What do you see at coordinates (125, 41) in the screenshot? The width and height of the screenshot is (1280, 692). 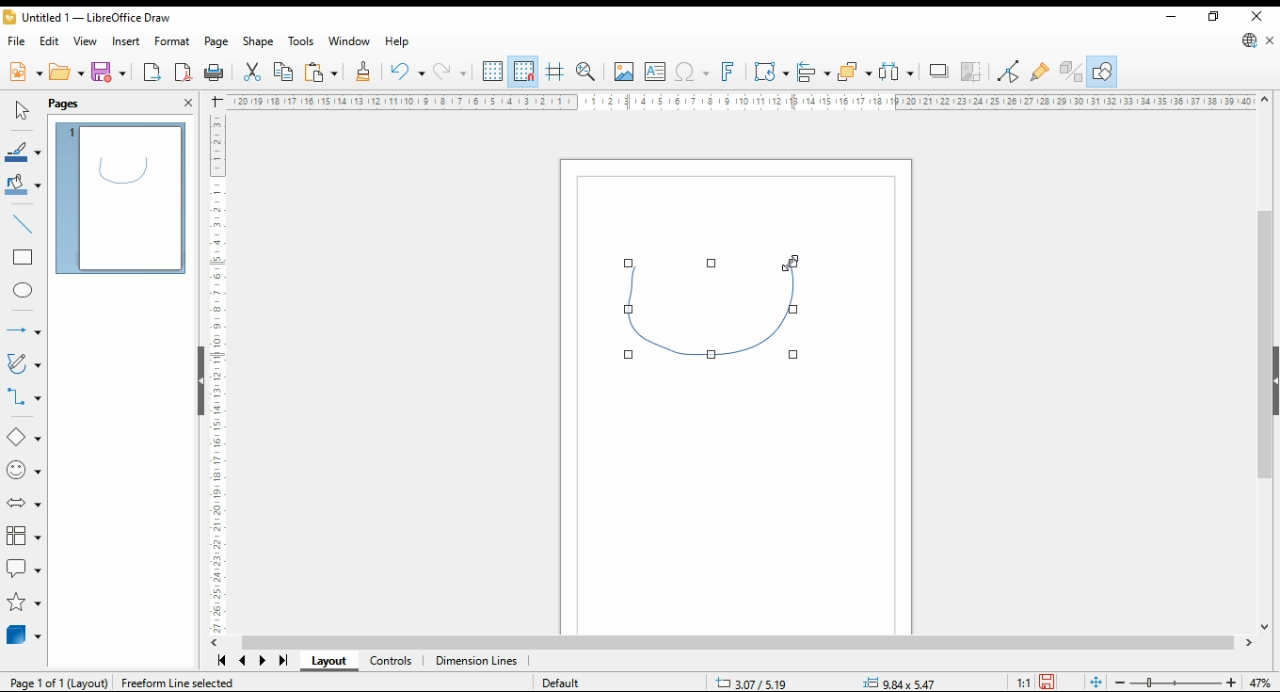 I see `insert` at bounding box center [125, 41].